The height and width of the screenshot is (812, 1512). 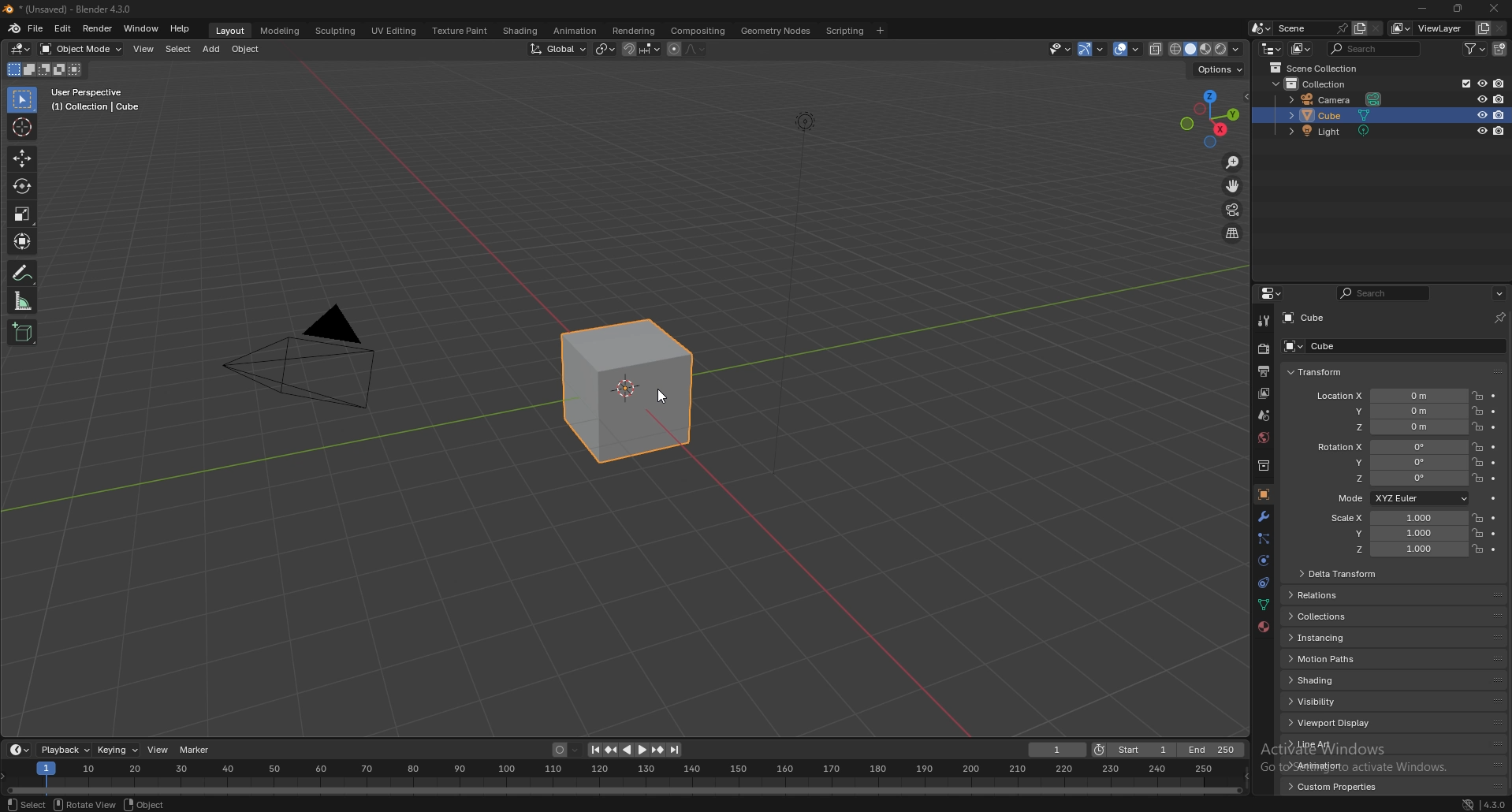 I want to click on jump to endpoint, so click(x=676, y=749).